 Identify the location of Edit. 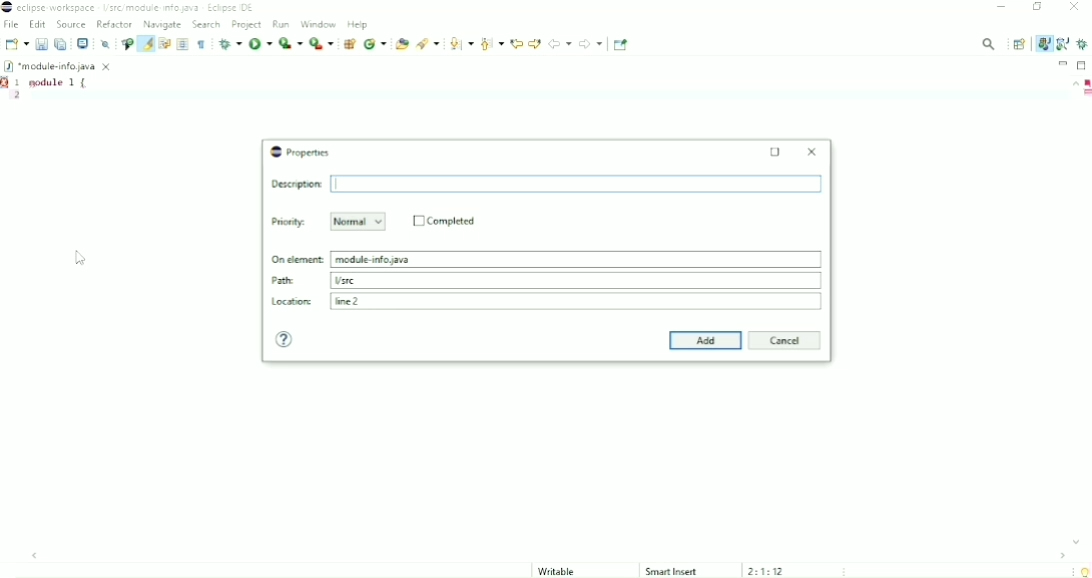
(38, 24).